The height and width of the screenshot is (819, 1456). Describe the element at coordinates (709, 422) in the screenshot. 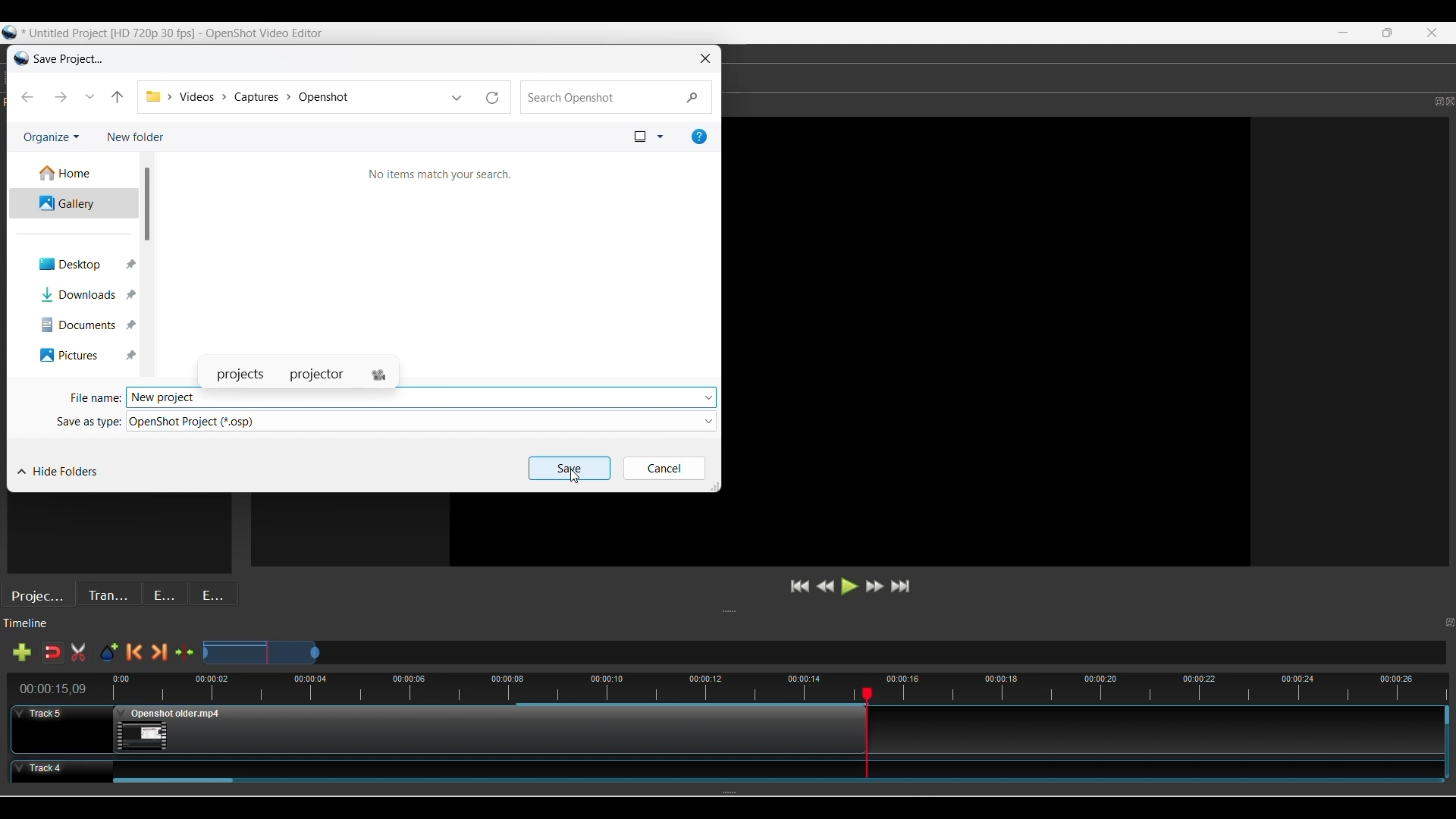

I see `Folder options` at that location.